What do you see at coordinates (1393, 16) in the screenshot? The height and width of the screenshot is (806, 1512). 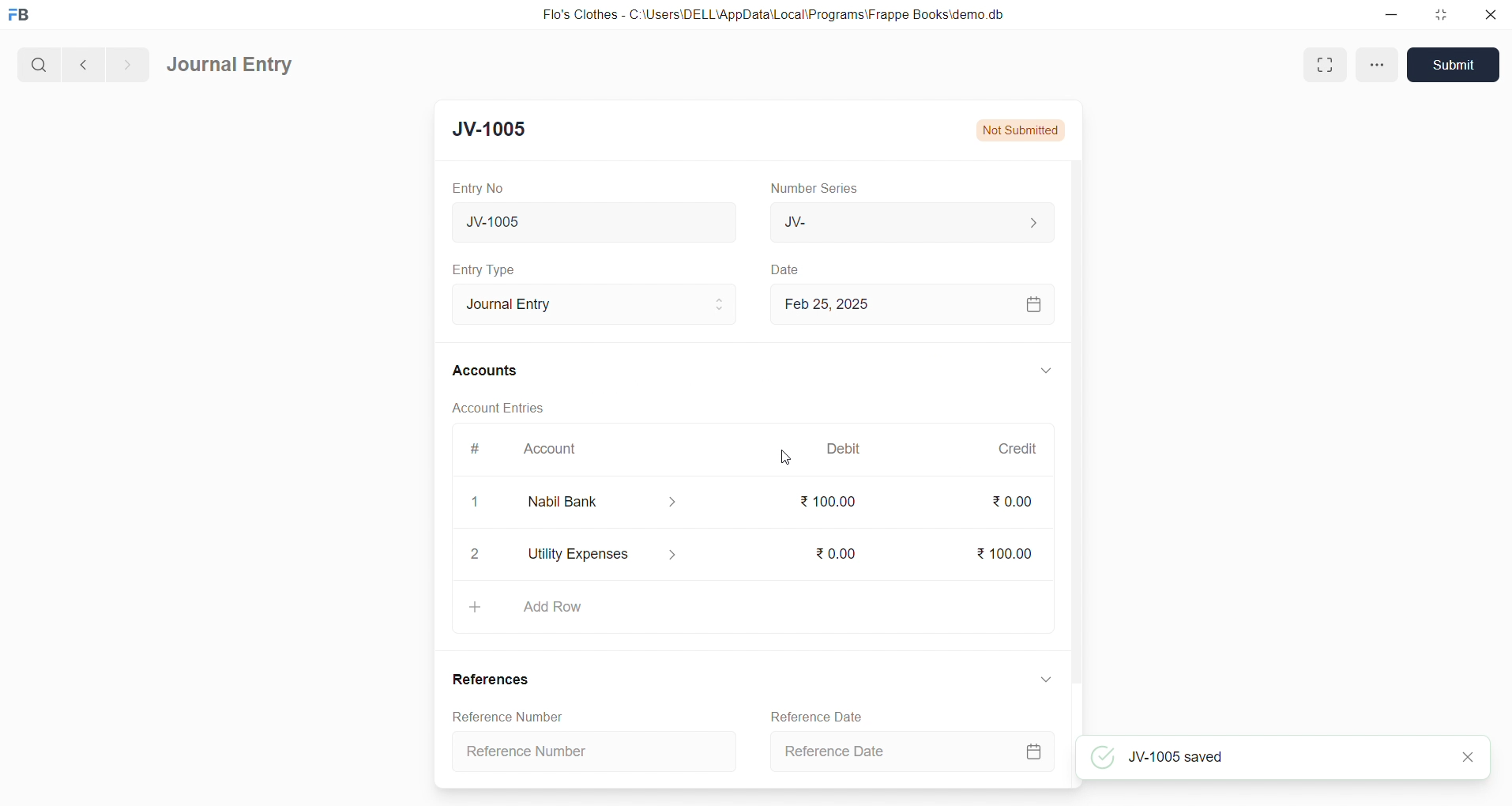 I see `minimize` at bounding box center [1393, 16].